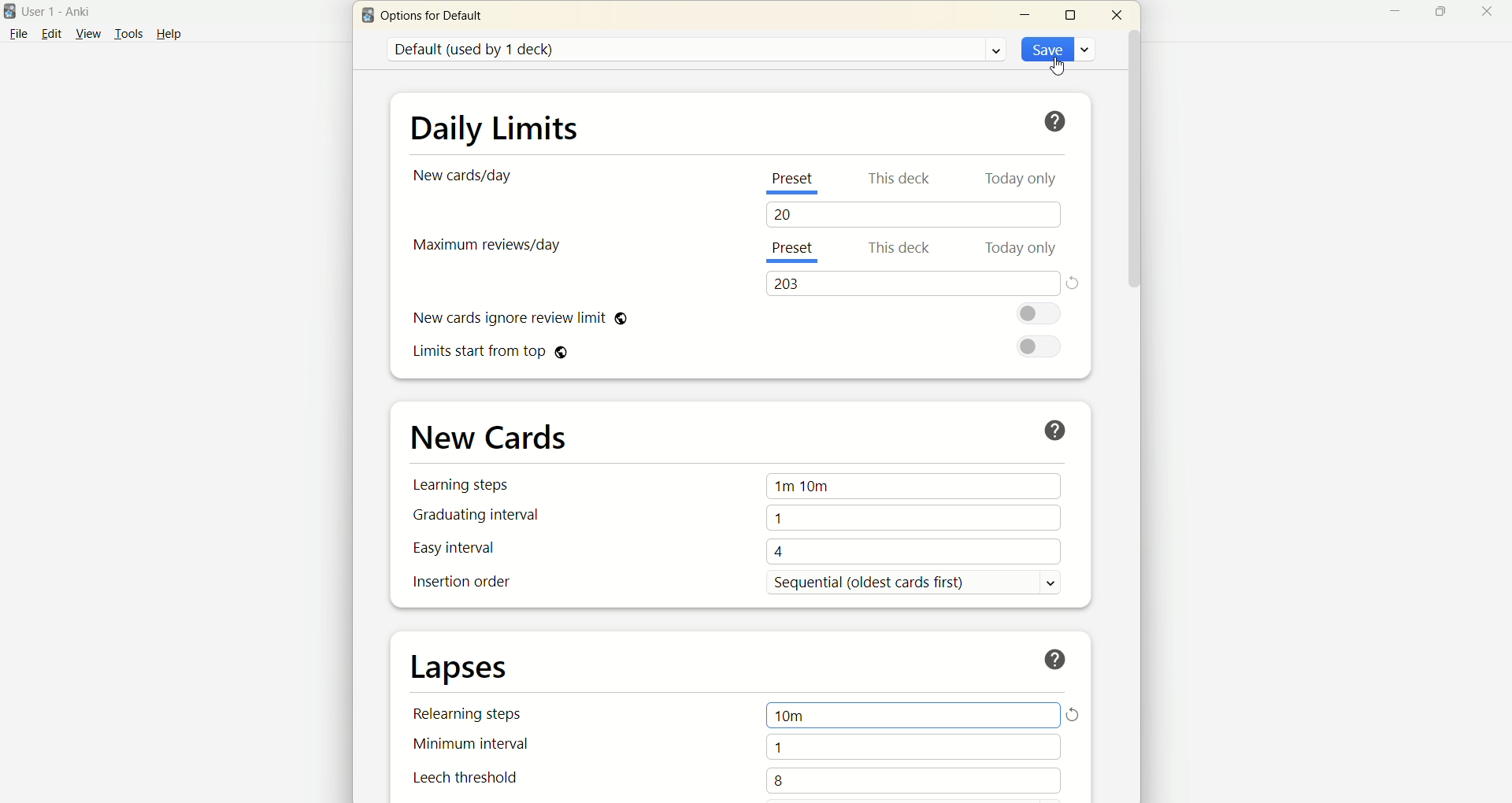 This screenshot has height=803, width=1512. Describe the element at coordinates (798, 251) in the screenshot. I see `present` at that location.